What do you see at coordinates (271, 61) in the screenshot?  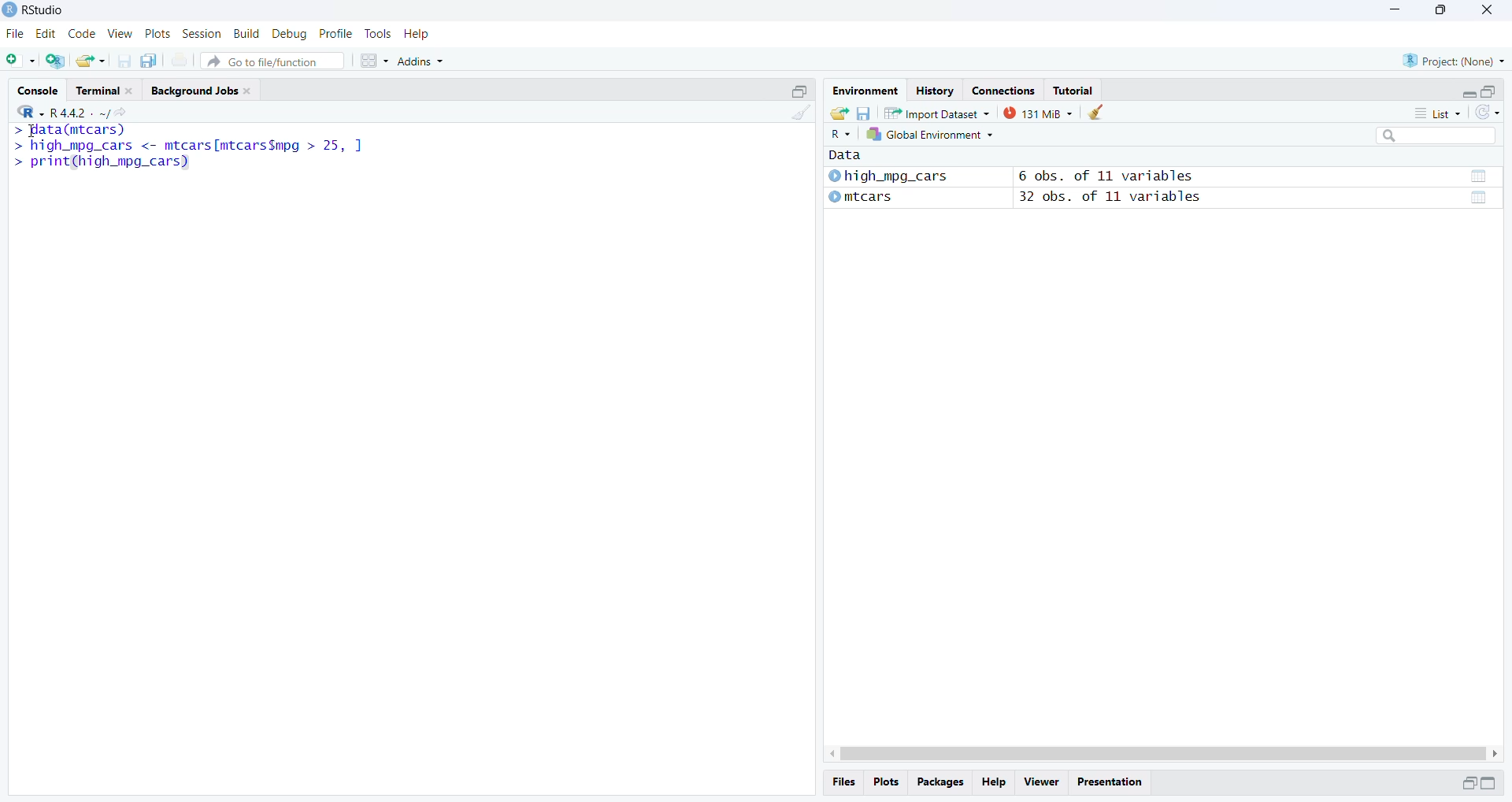 I see `Go to file/function` at bounding box center [271, 61].